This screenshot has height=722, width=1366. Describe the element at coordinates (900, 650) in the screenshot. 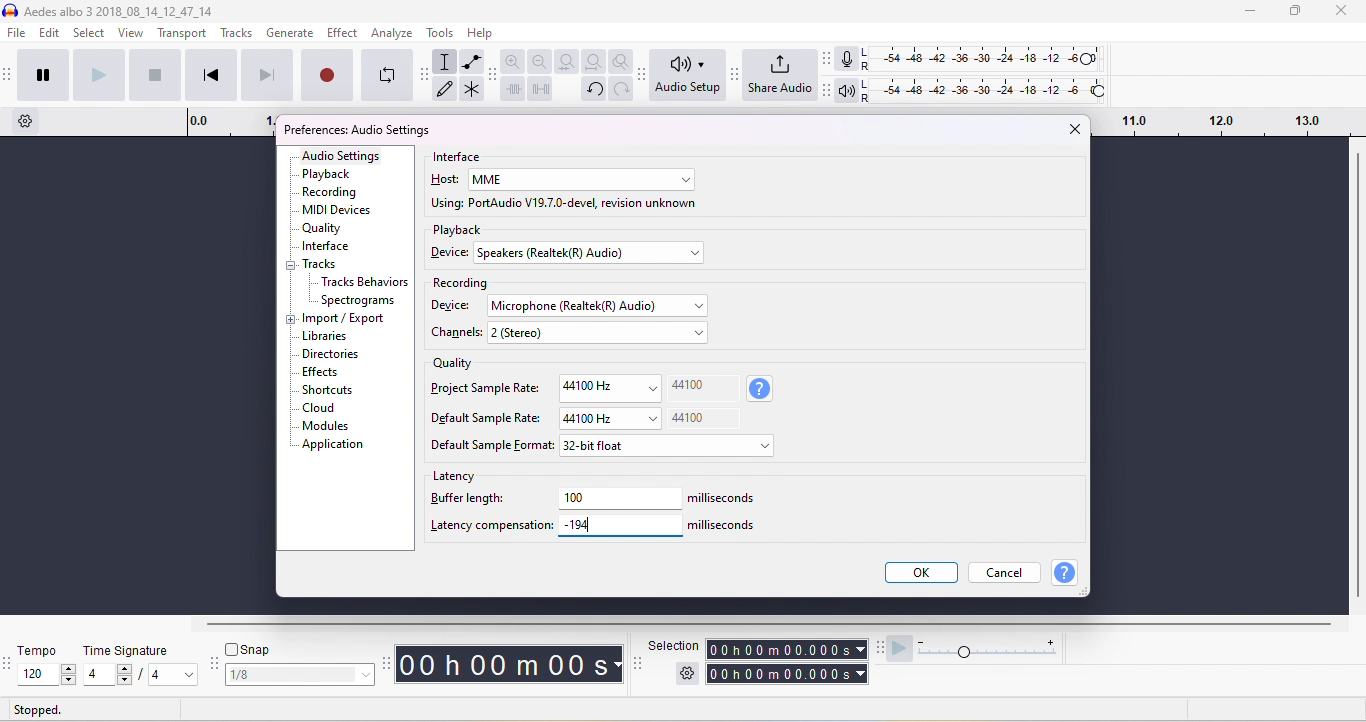

I see `play at speed/ play at speed once` at that location.